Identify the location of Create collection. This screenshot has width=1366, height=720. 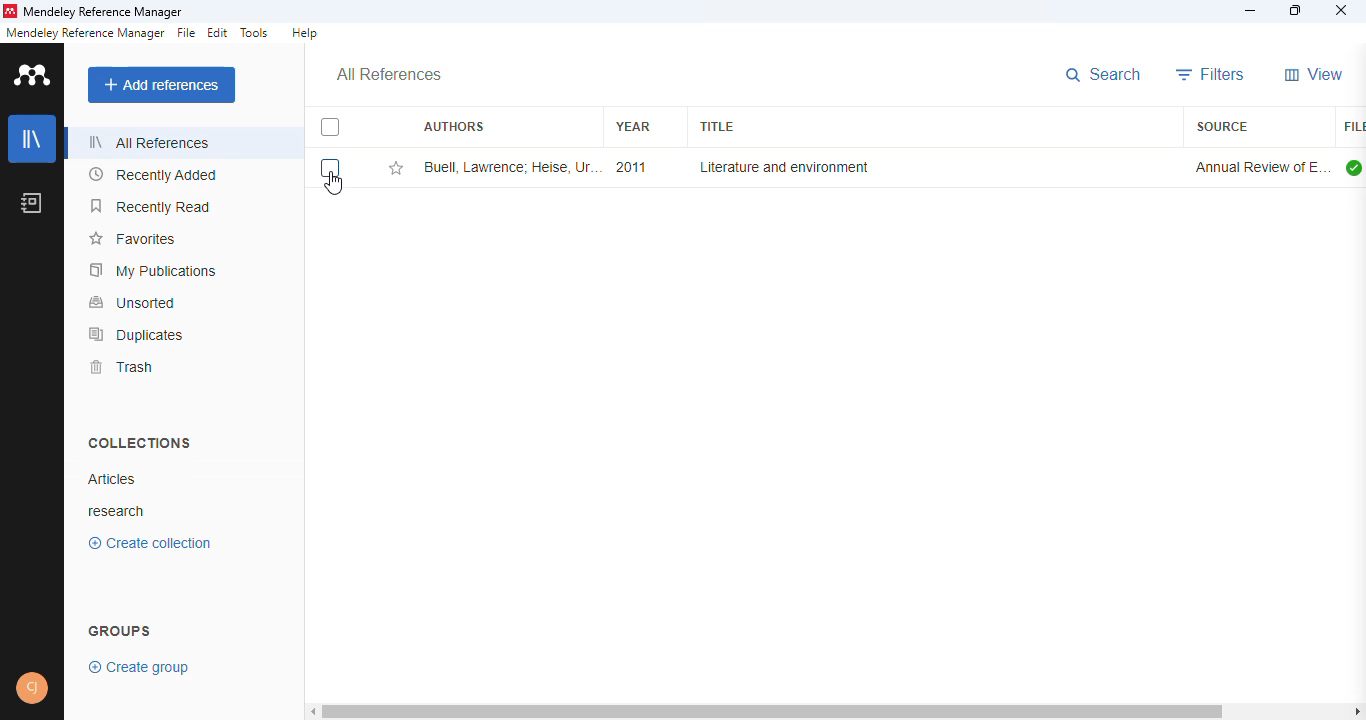
(149, 546).